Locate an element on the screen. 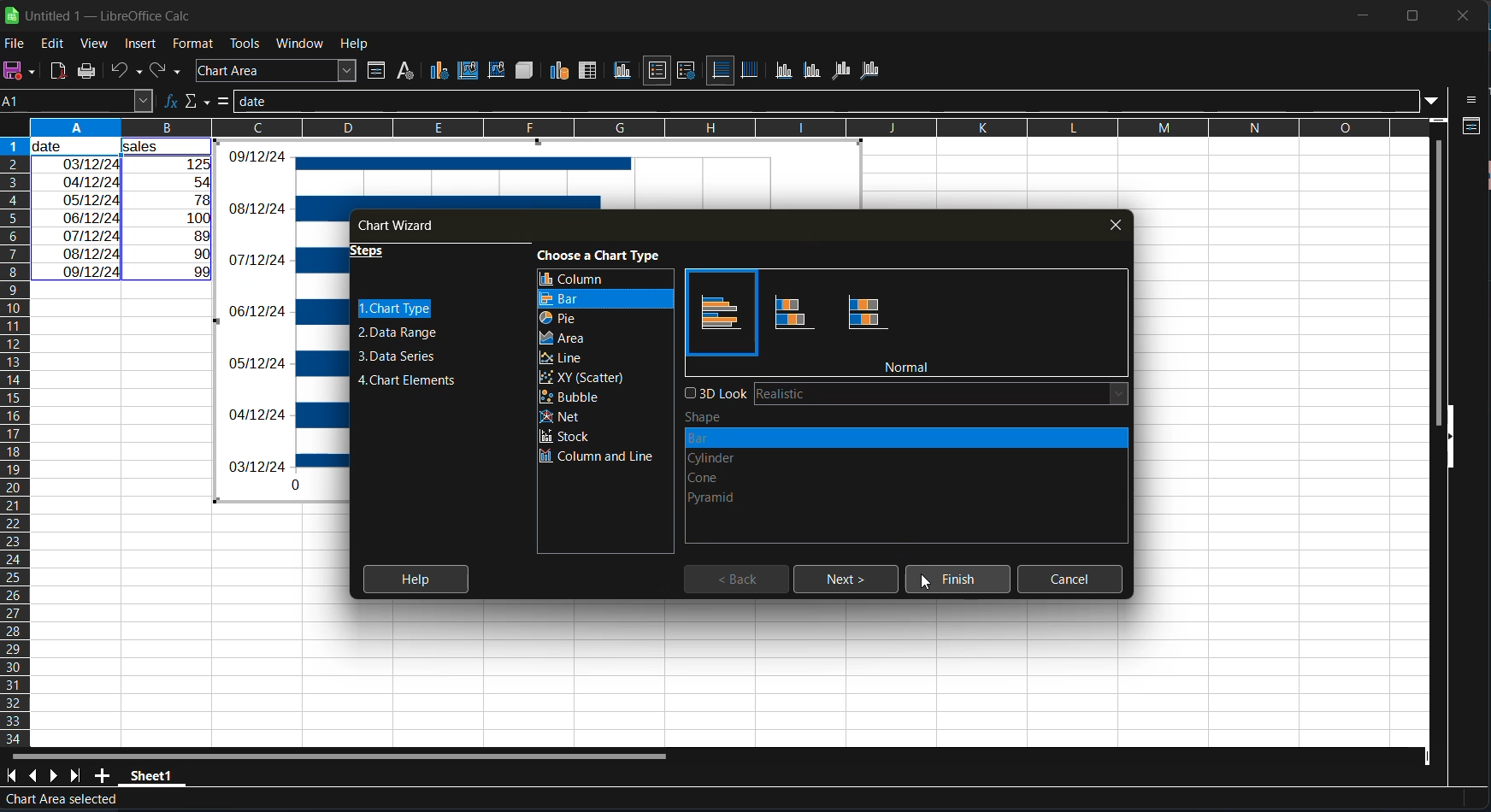 The image size is (1491, 812). horizontal scroll bar is located at coordinates (335, 753).